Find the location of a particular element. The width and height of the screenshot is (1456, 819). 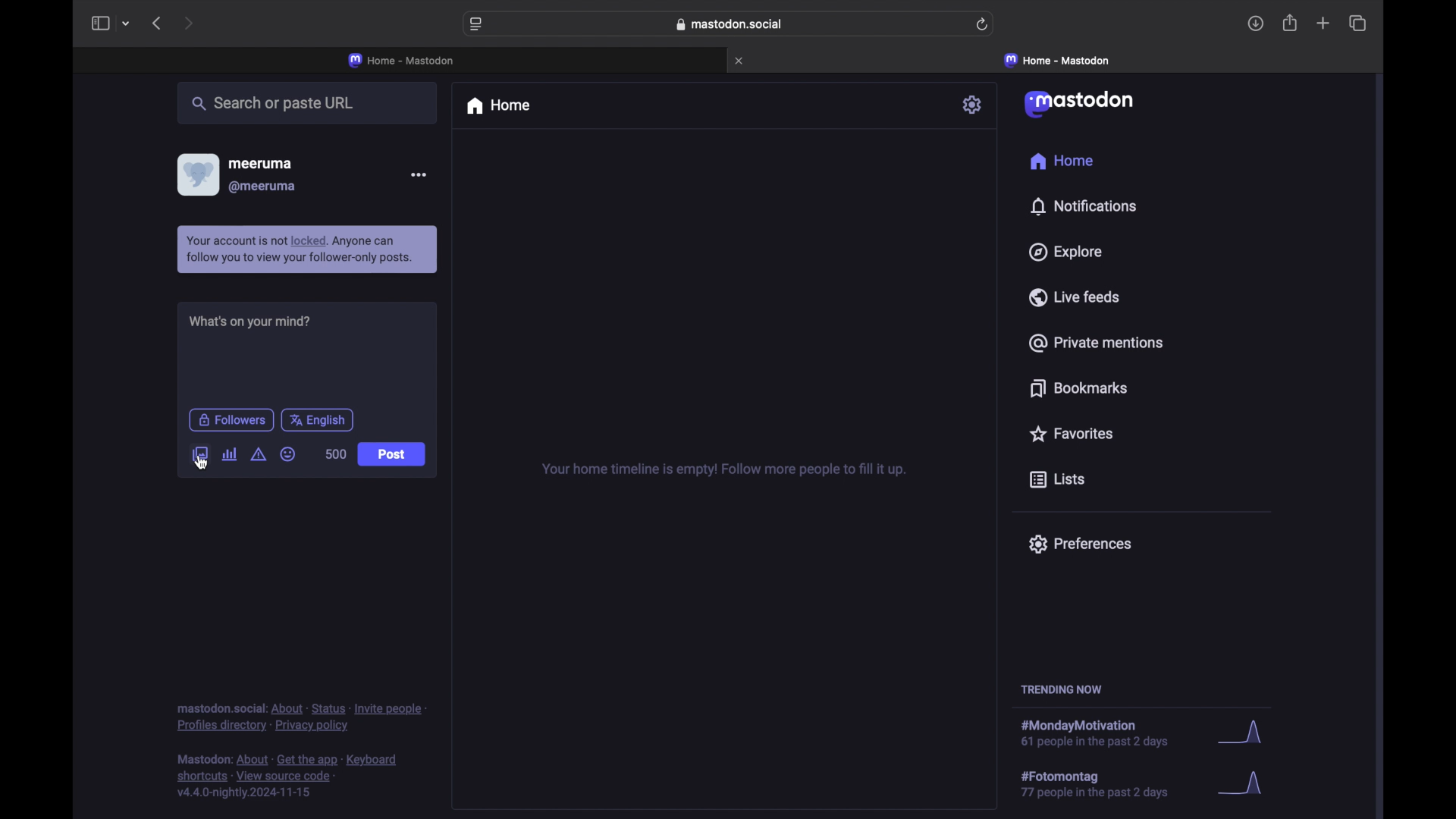

hashtag trend is located at coordinates (1106, 730).